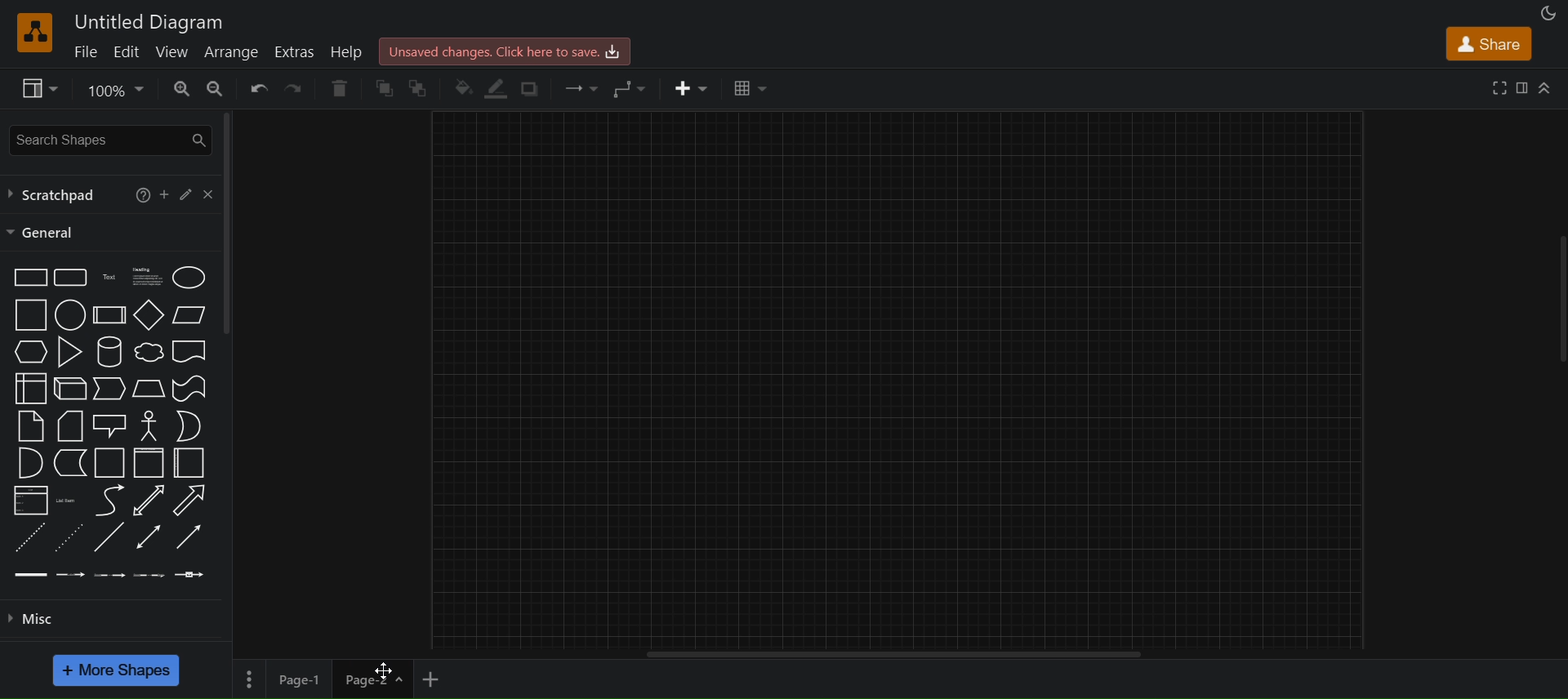 This screenshot has height=699, width=1568. I want to click on collapse/expand, so click(1546, 86).